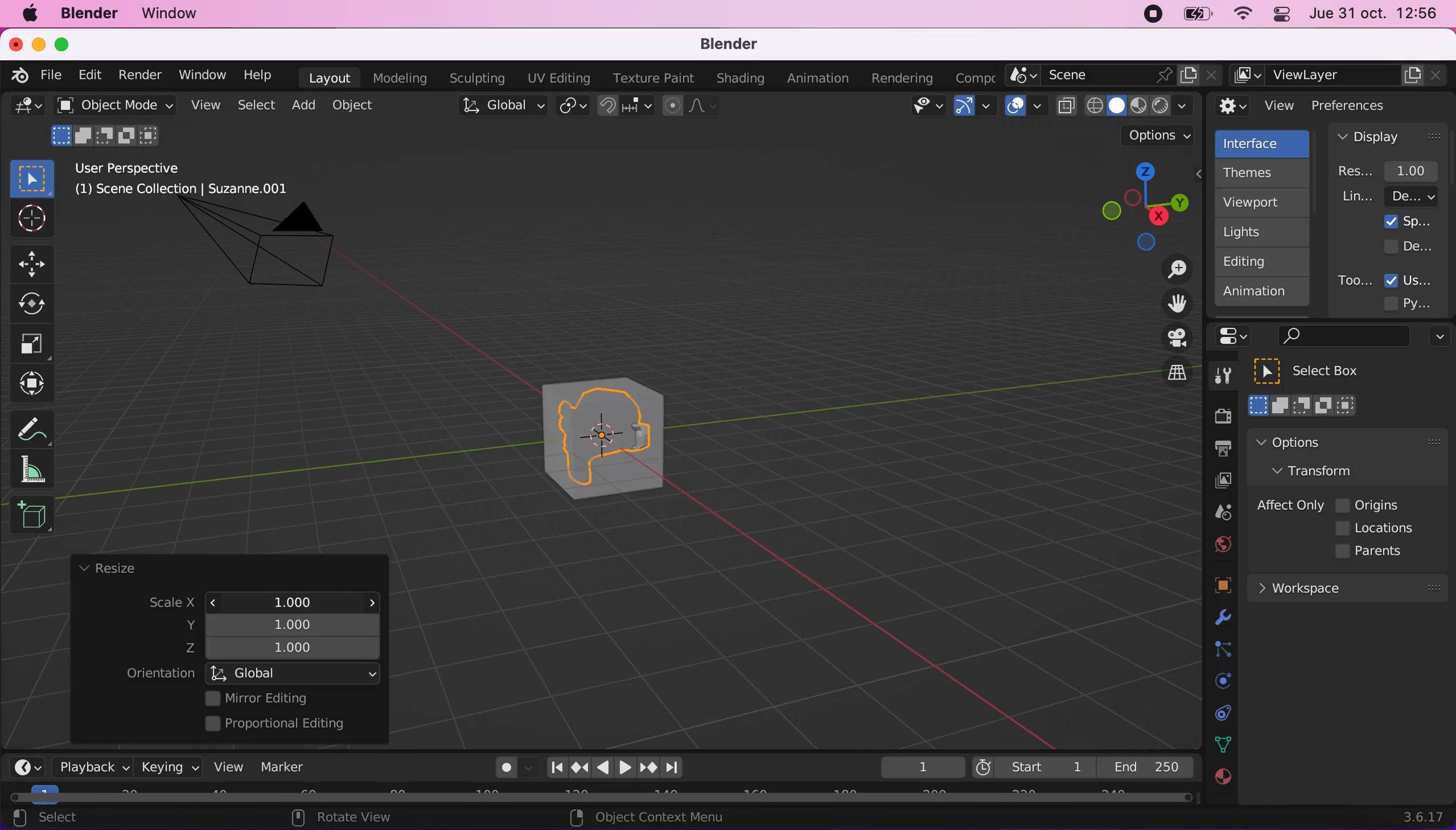 This screenshot has height=830, width=1456. What do you see at coordinates (87, 75) in the screenshot?
I see `edit` at bounding box center [87, 75].